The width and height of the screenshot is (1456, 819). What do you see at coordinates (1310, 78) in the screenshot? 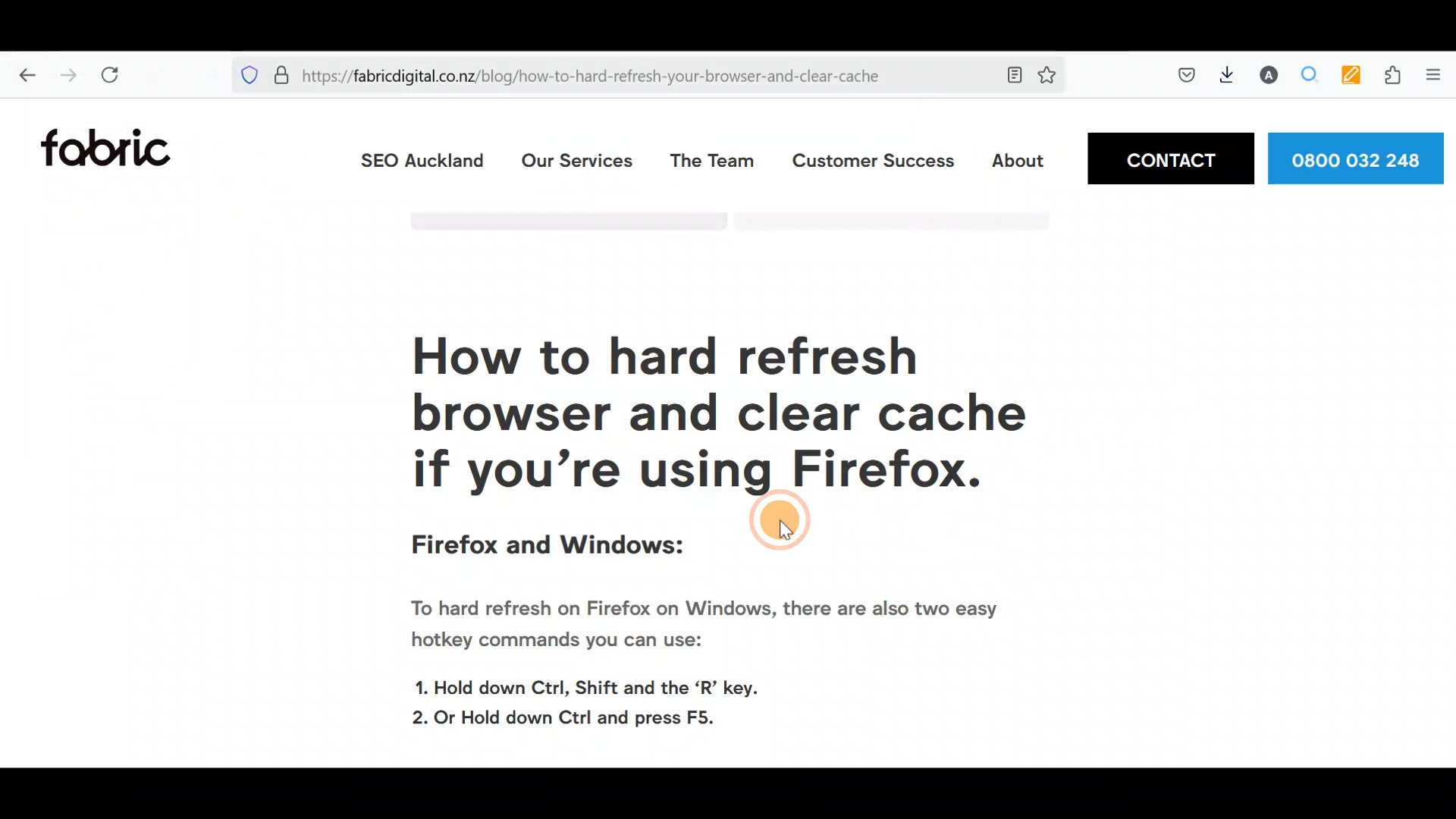
I see `Multiple search & highlight` at bounding box center [1310, 78].